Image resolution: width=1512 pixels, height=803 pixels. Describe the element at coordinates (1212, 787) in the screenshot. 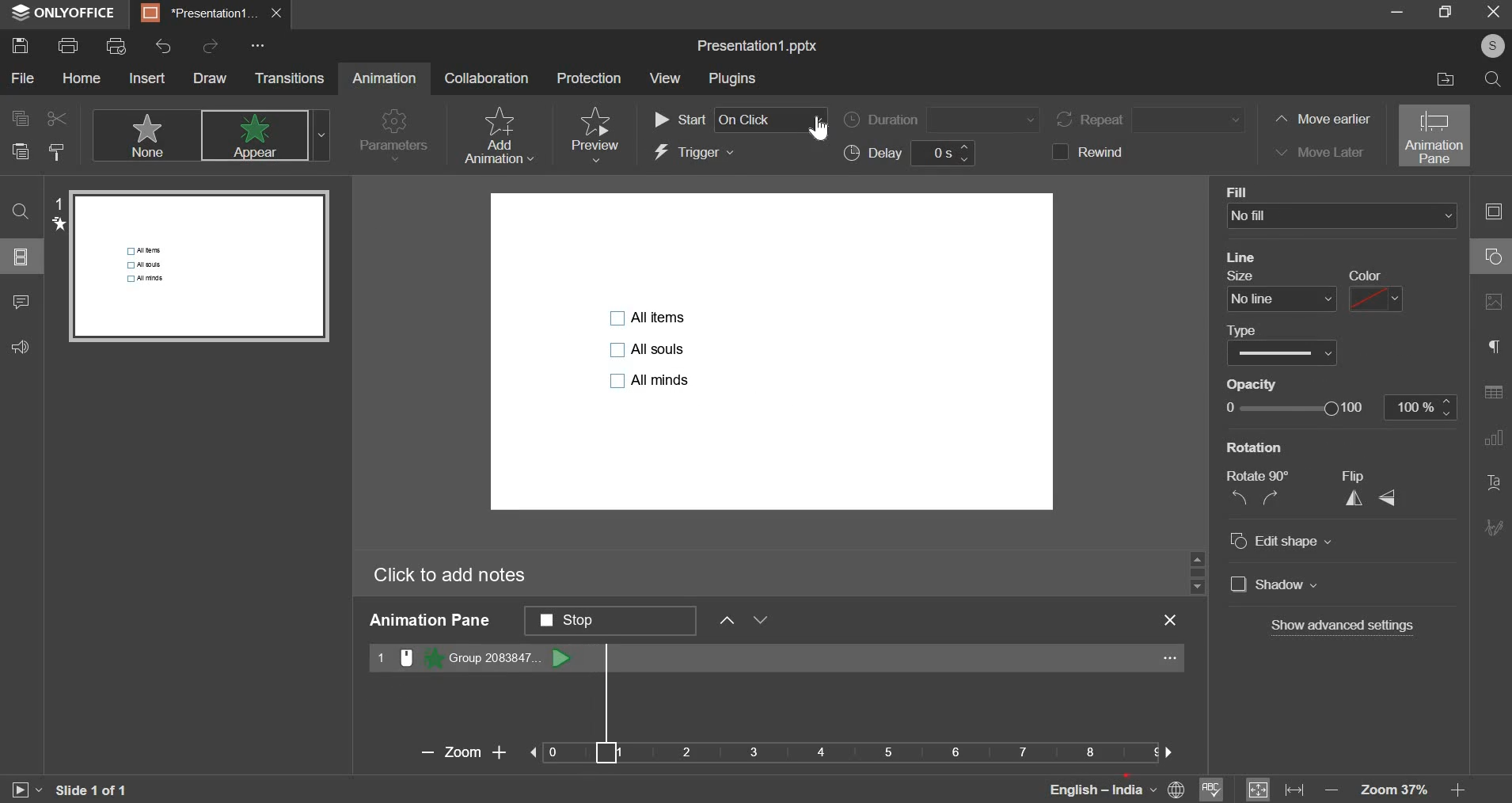

I see `spelling` at that location.